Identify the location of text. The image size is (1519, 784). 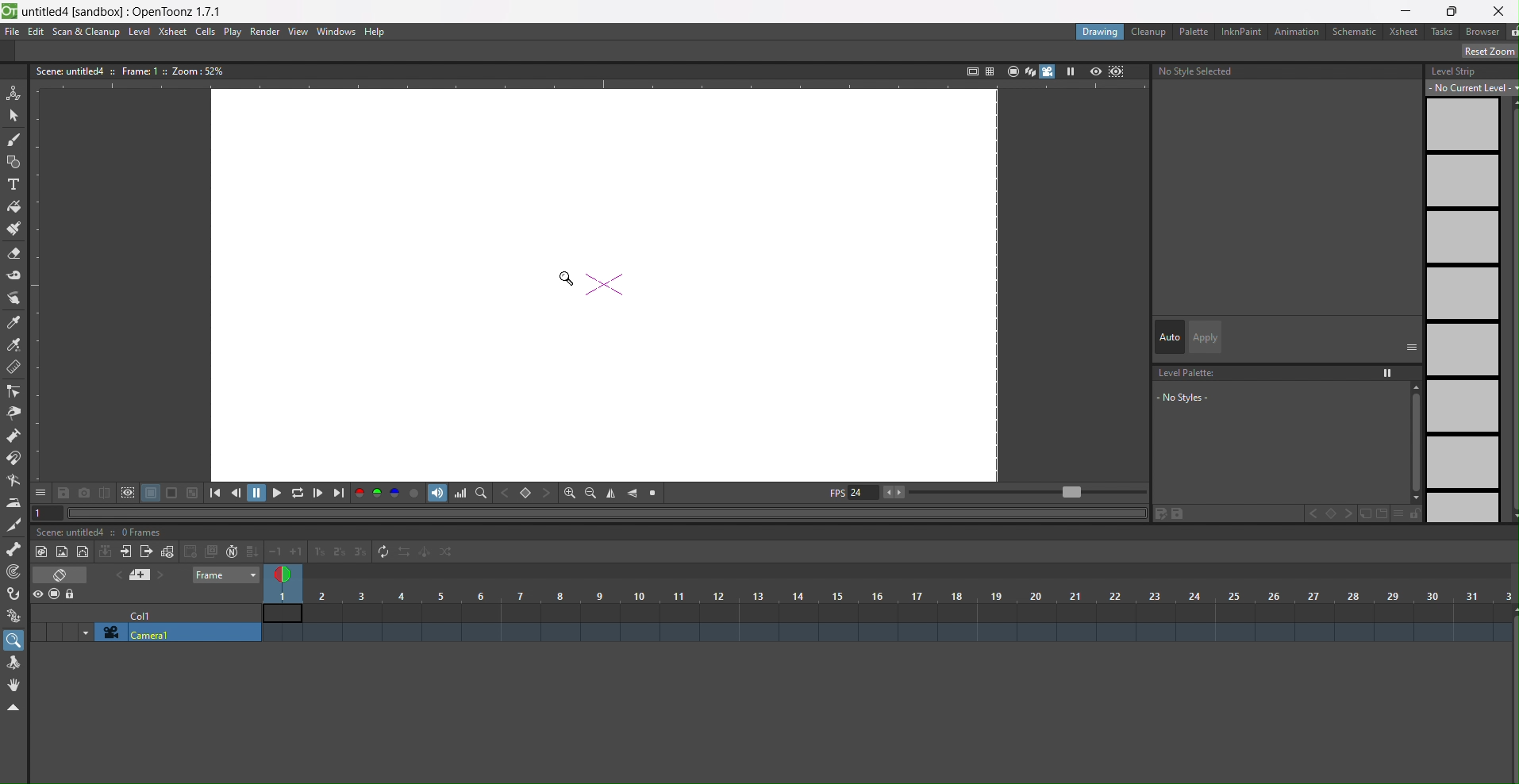
(129, 71).